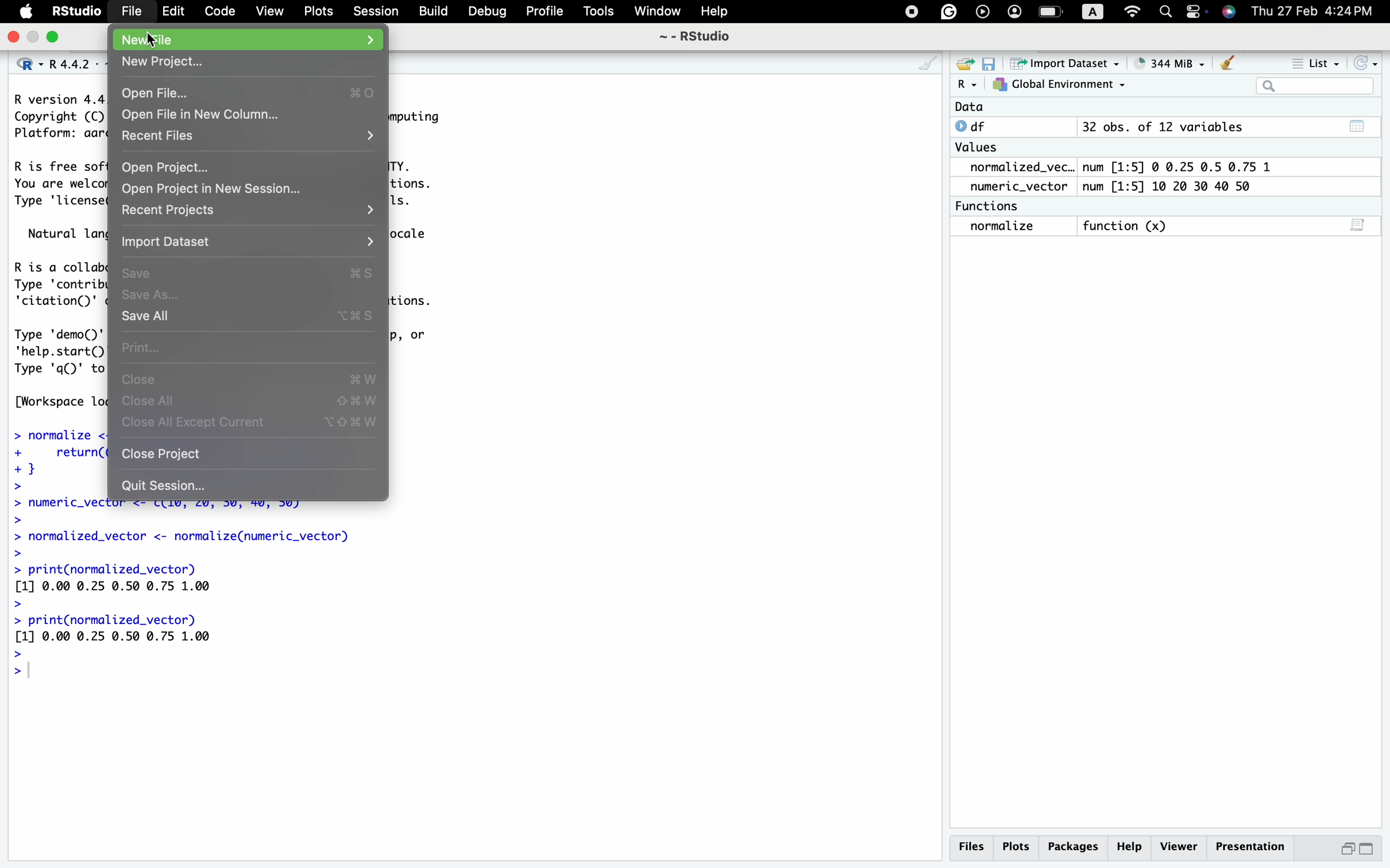 This screenshot has width=1390, height=868. I want to click on save, so click(991, 65).